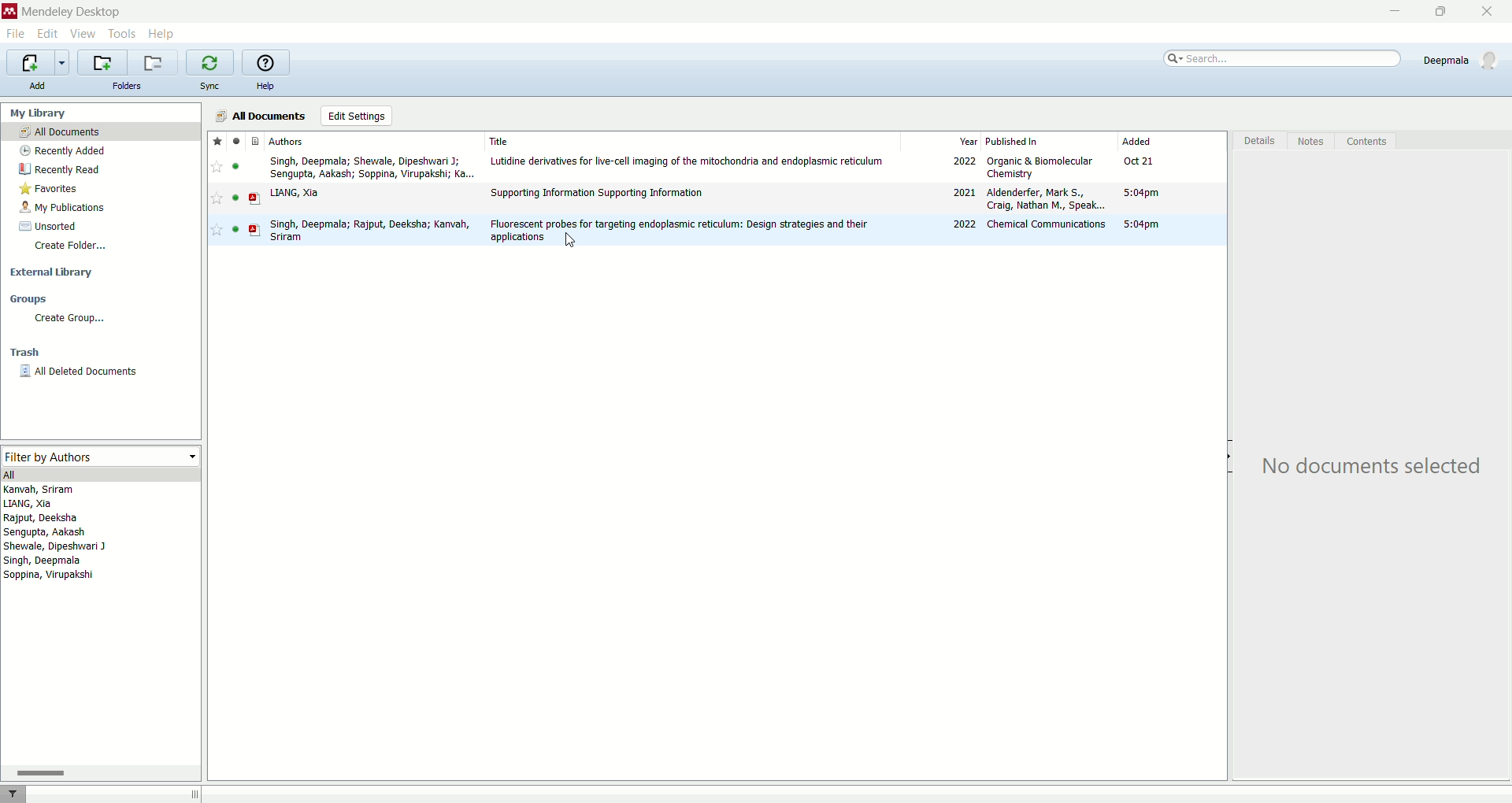 The width and height of the screenshot is (1512, 803). I want to click on external library, so click(48, 272).